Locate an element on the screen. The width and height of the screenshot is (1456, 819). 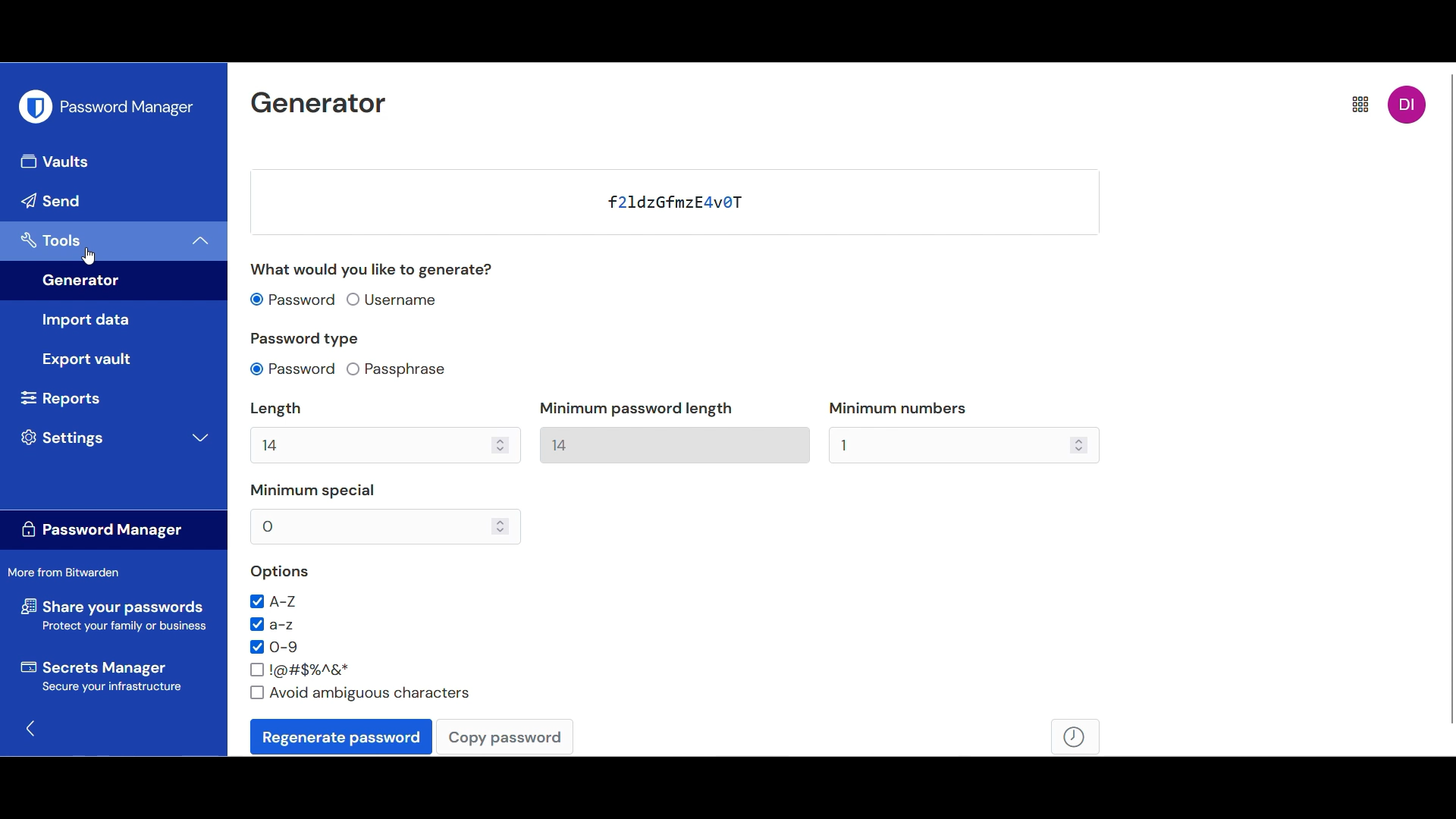
Passphrase is located at coordinates (397, 369).